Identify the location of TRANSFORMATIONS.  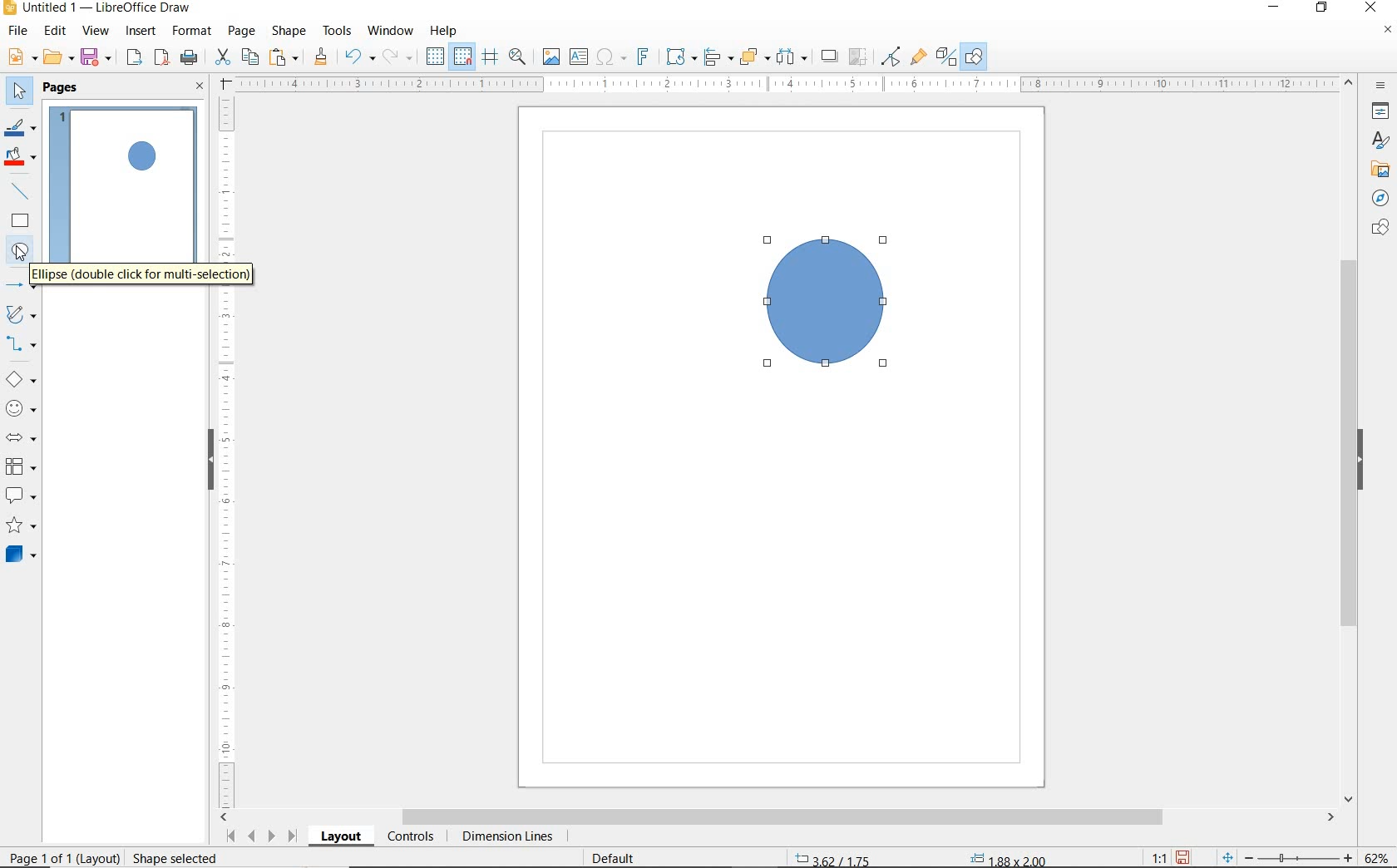
(679, 57).